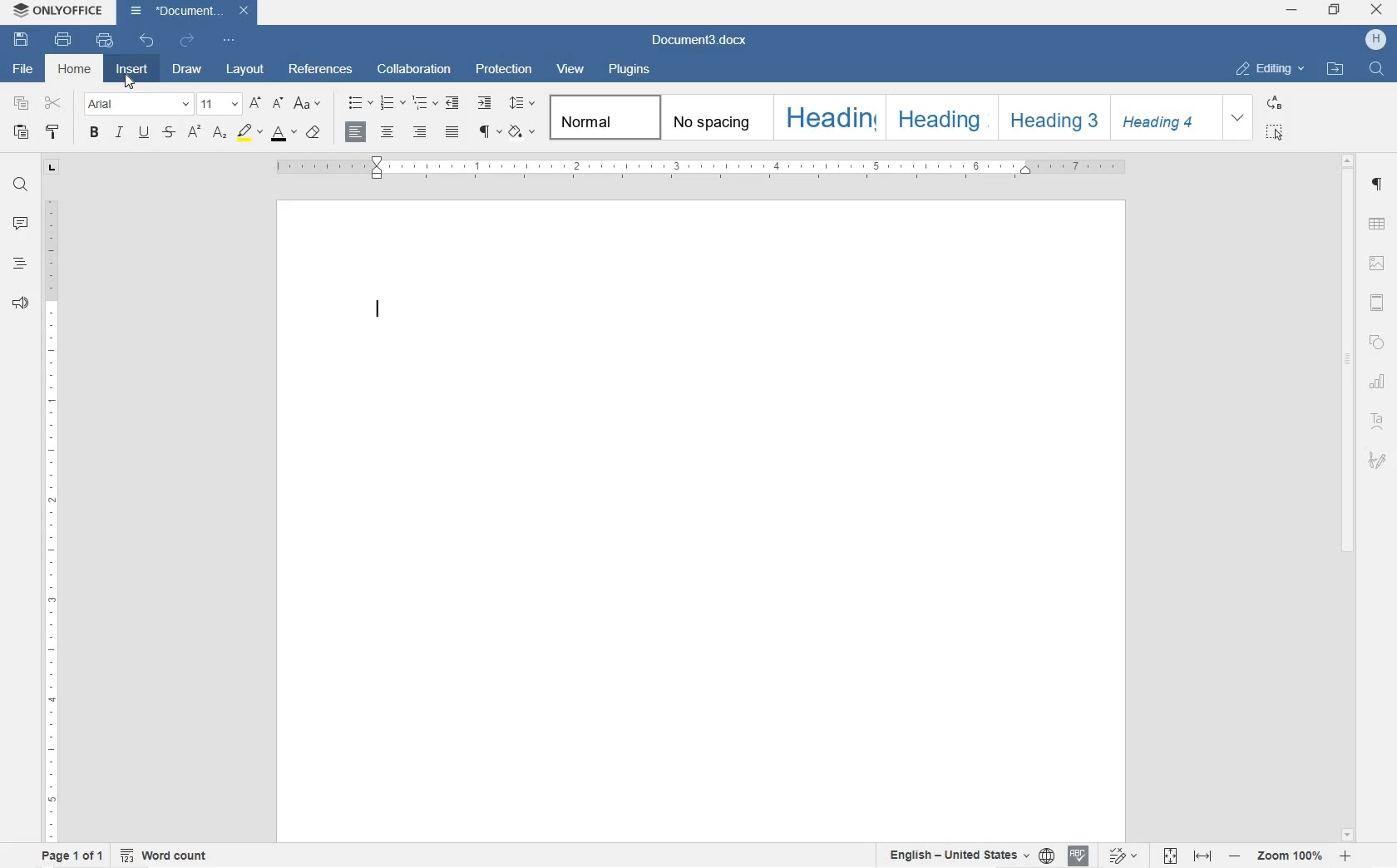  What do you see at coordinates (1237, 118) in the screenshot?
I see `EXPAND FORMATTING STYLE` at bounding box center [1237, 118].